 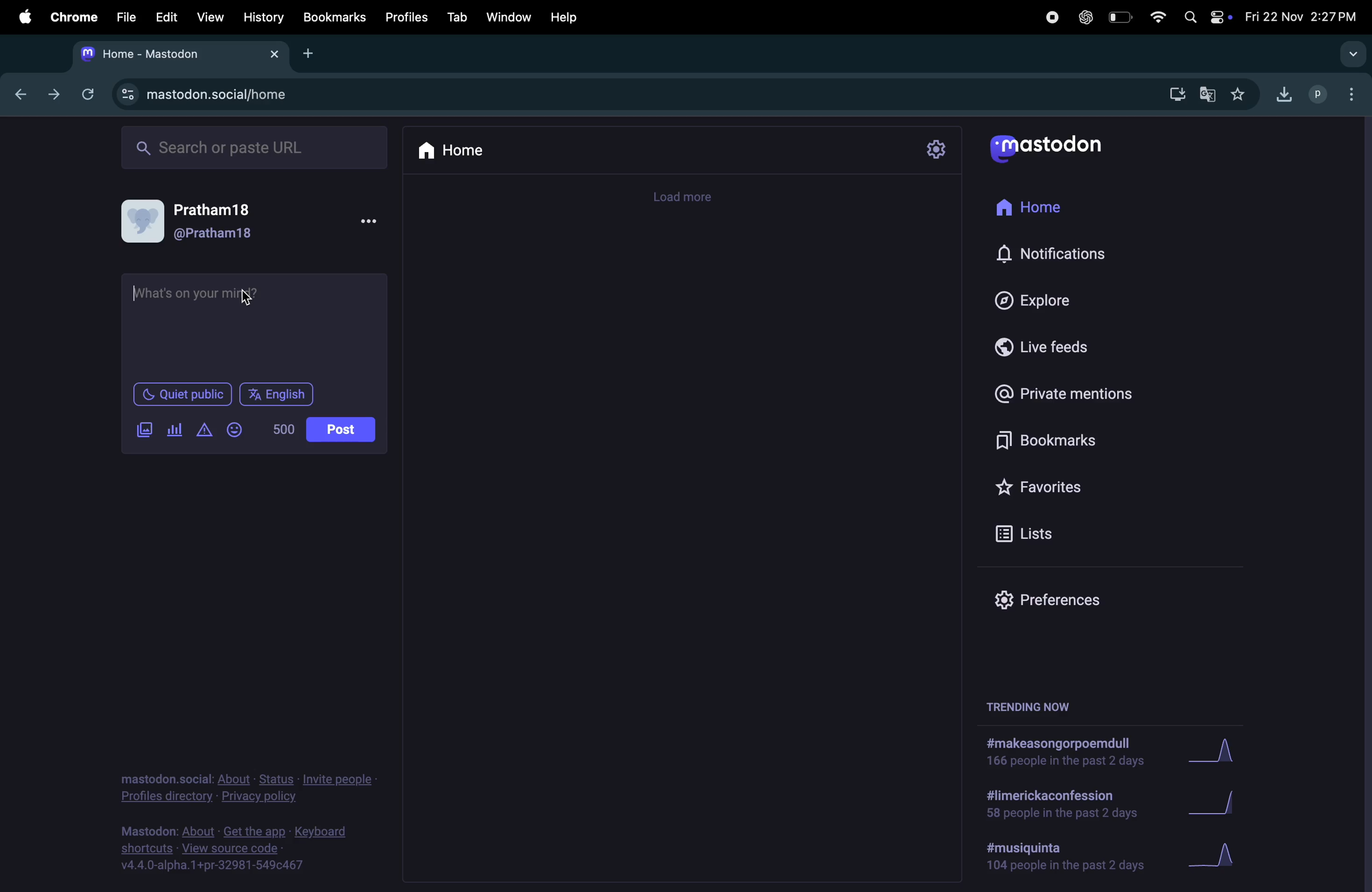 What do you see at coordinates (145, 428) in the screenshot?
I see `image` at bounding box center [145, 428].